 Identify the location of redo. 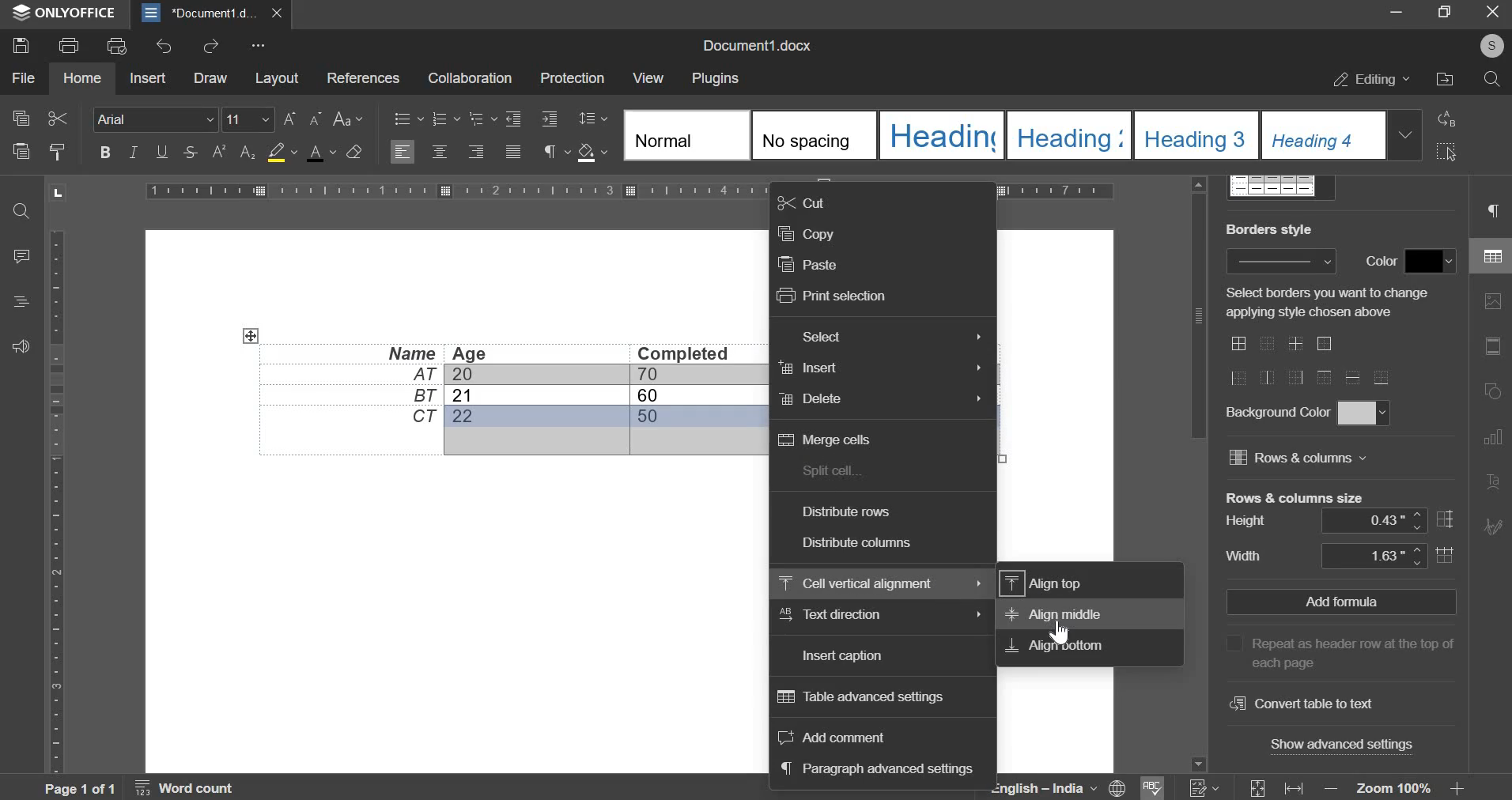
(211, 48).